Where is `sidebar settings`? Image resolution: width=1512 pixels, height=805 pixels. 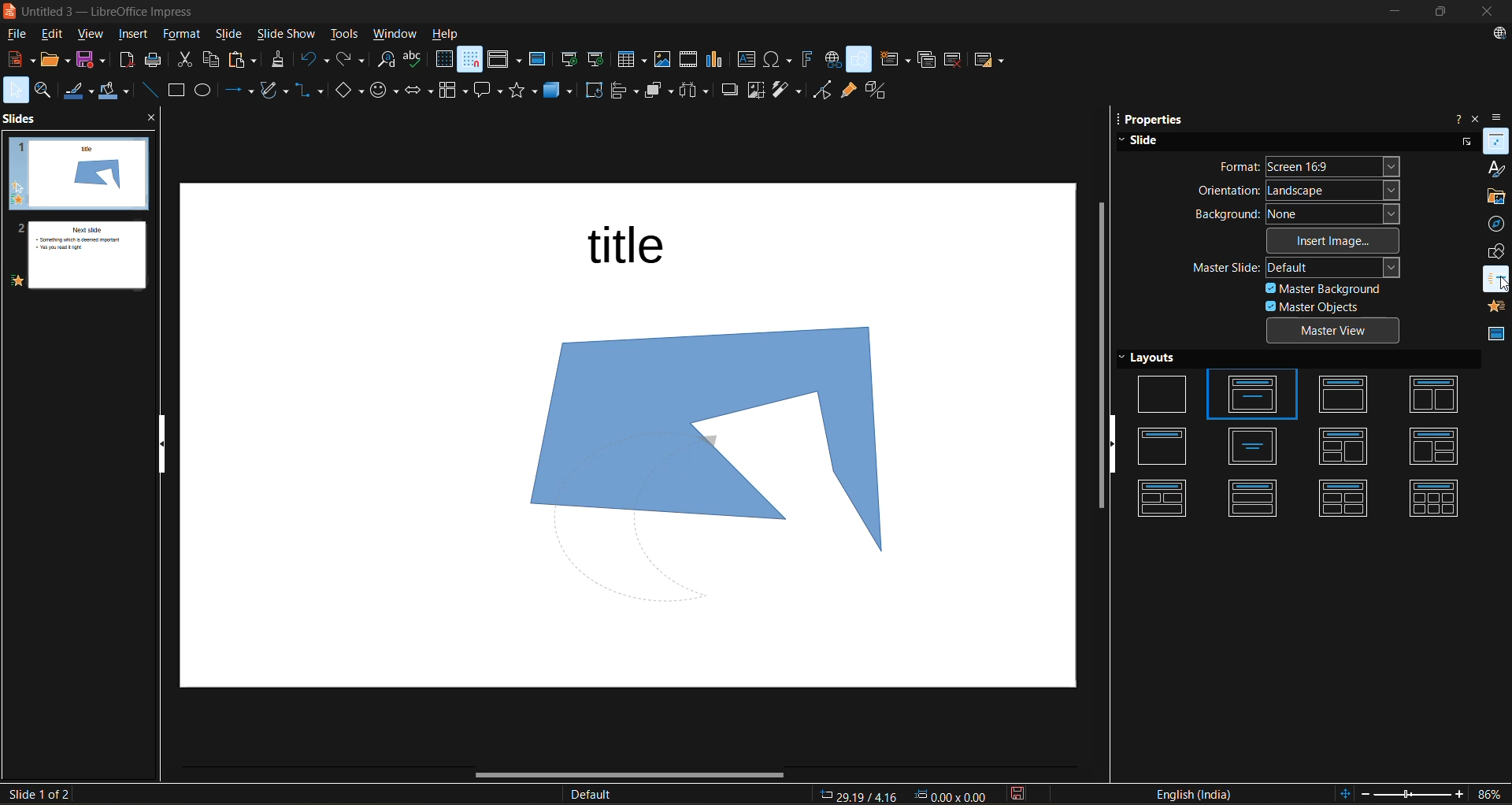
sidebar settings is located at coordinates (1499, 117).